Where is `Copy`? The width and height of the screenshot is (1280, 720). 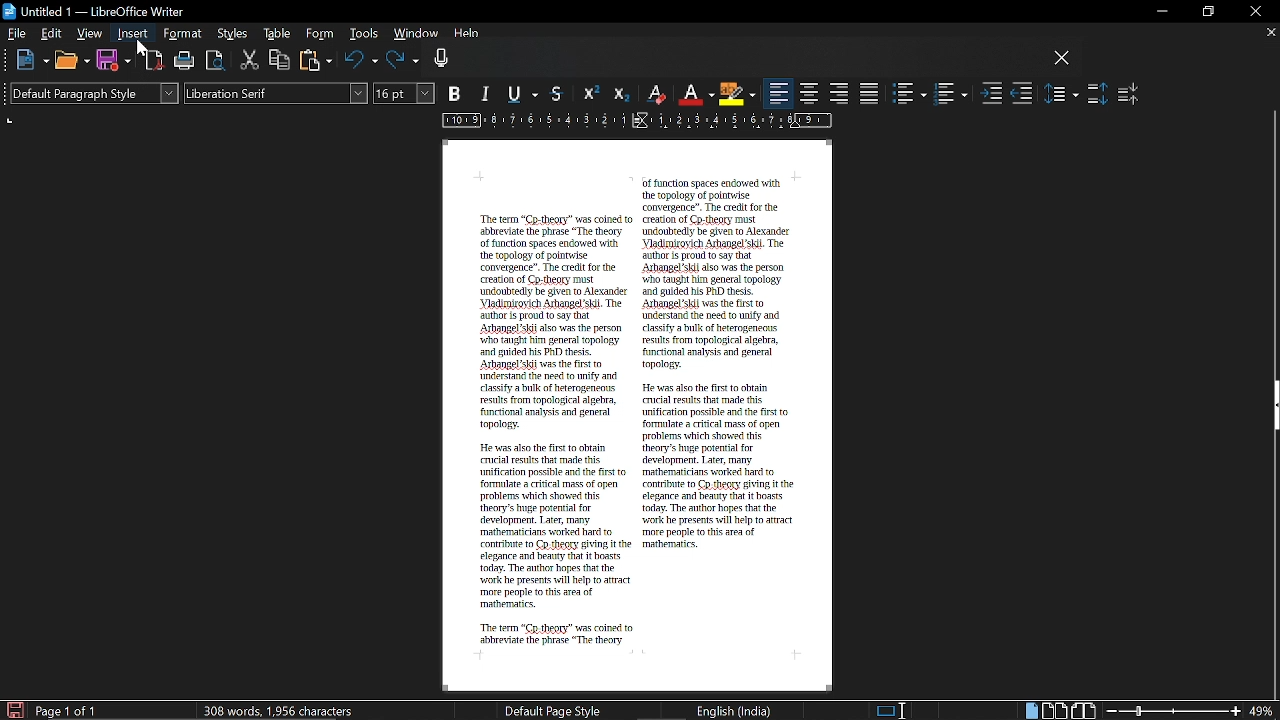 Copy is located at coordinates (280, 59).